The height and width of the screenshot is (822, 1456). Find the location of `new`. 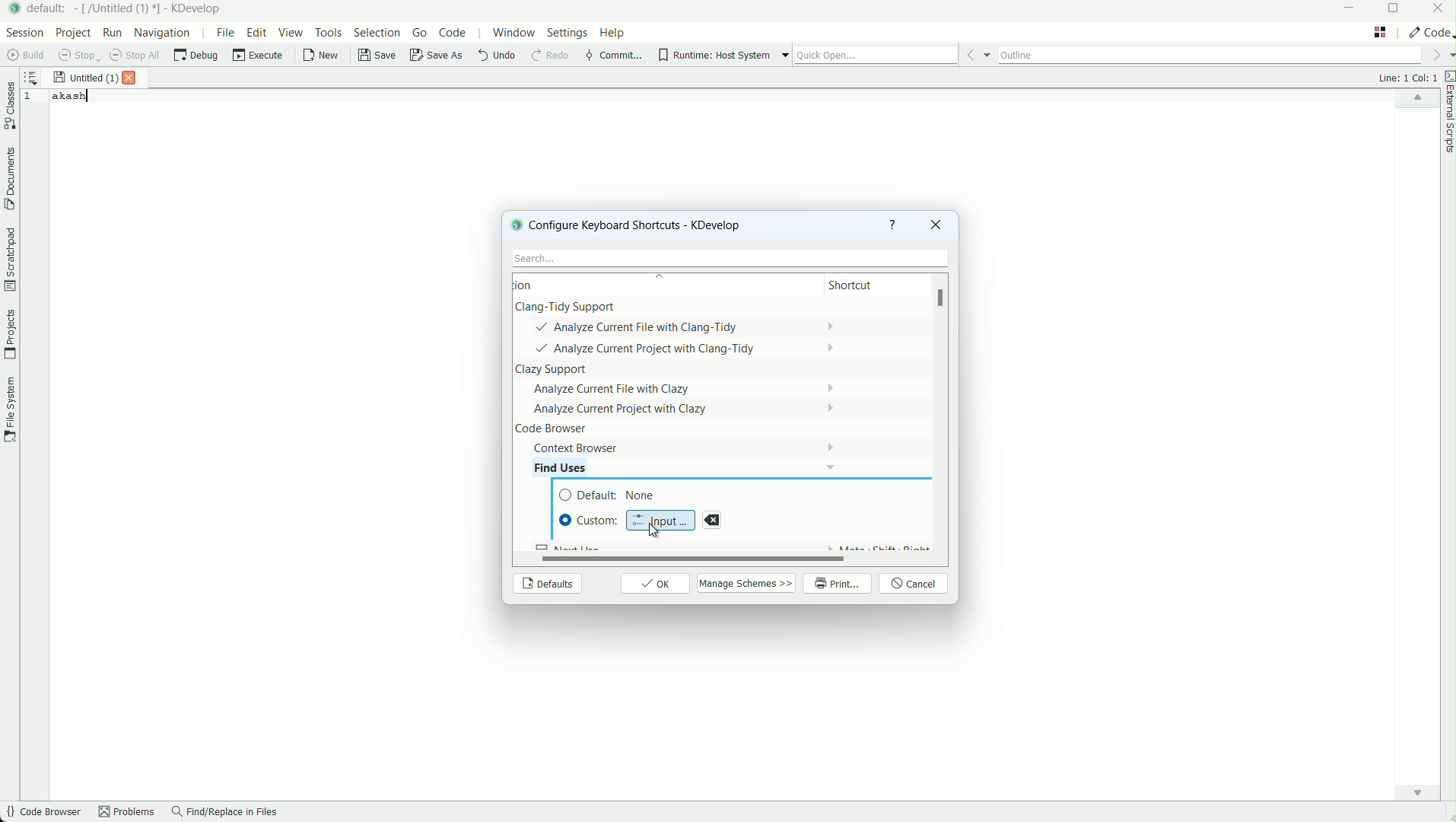

new is located at coordinates (322, 57).